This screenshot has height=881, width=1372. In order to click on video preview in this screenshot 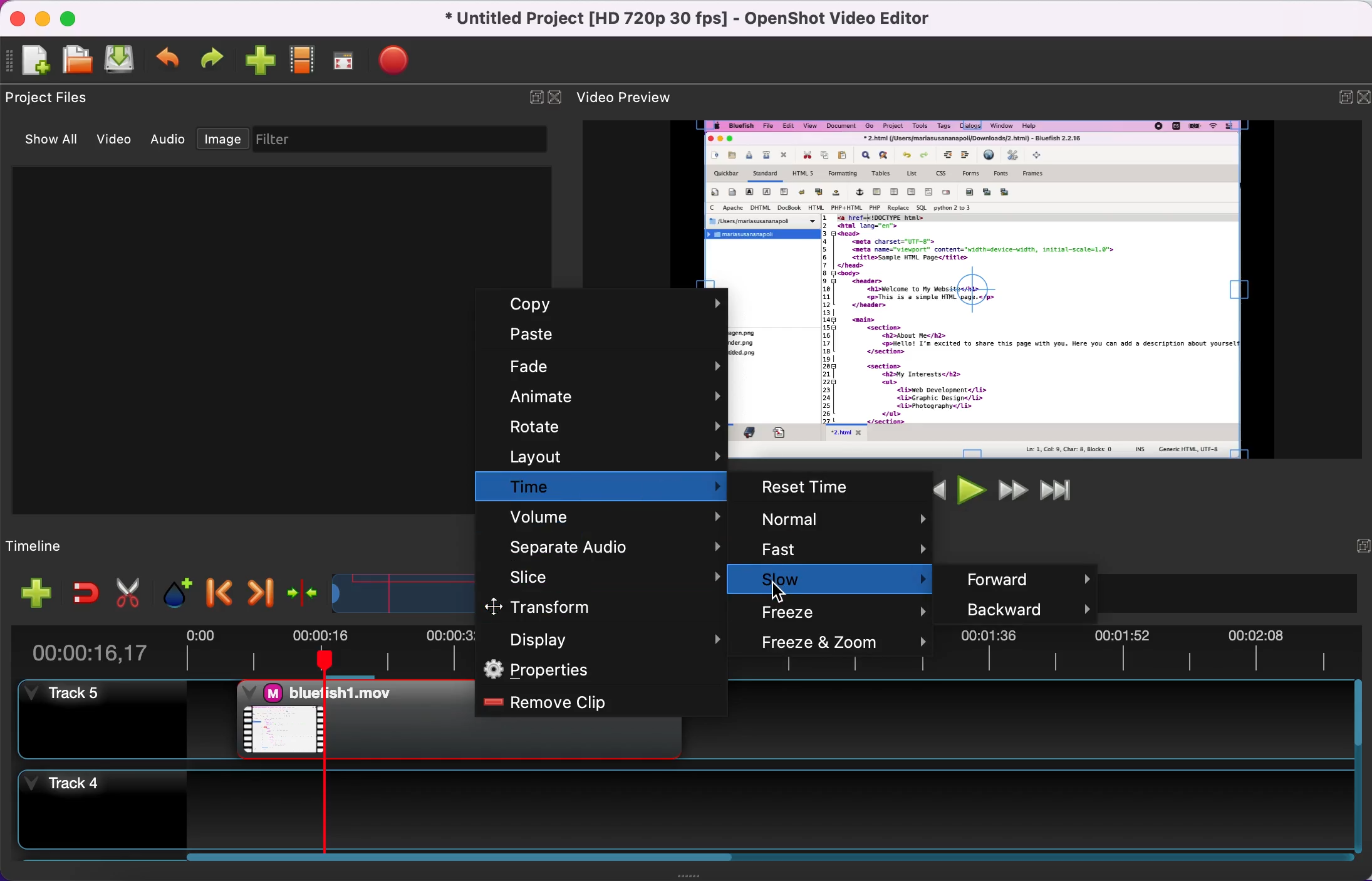, I will do `click(1042, 289)`.